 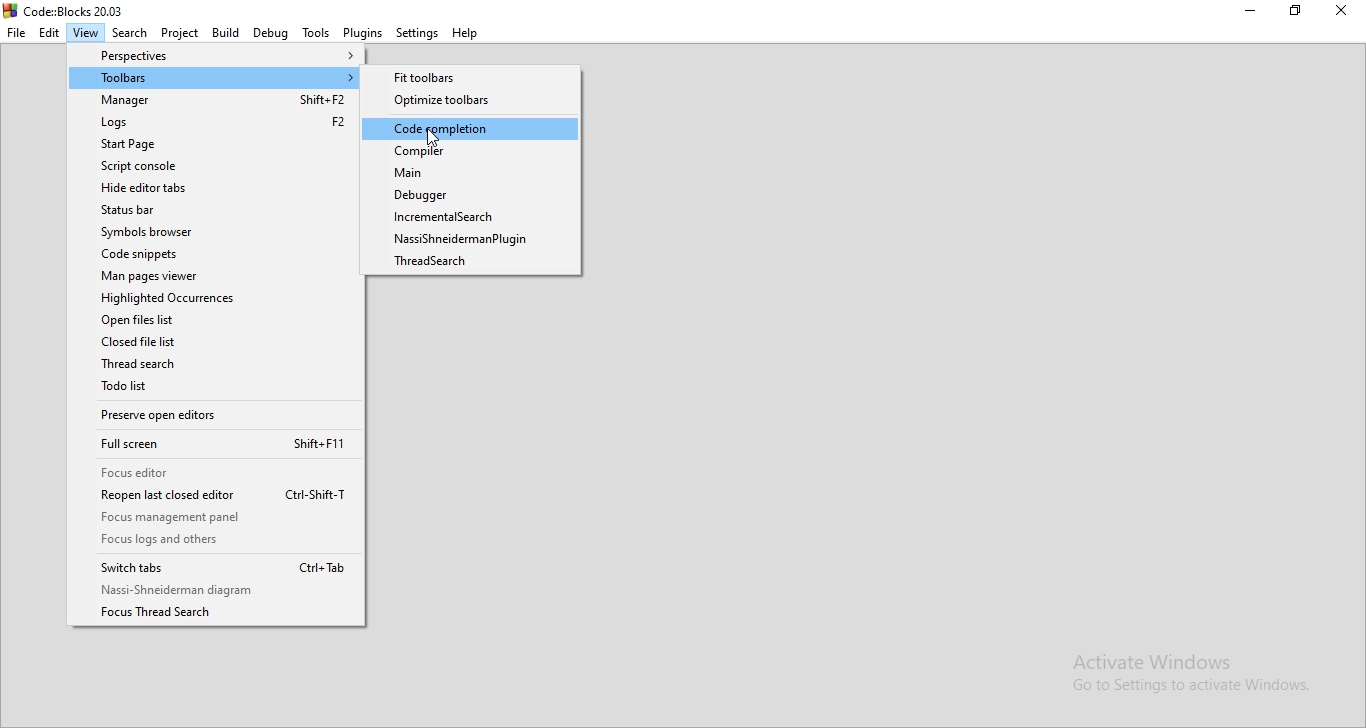 What do you see at coordinates (471, 129) in the screenshot?
I see `highlighted ` at bounding box center [471, 129].